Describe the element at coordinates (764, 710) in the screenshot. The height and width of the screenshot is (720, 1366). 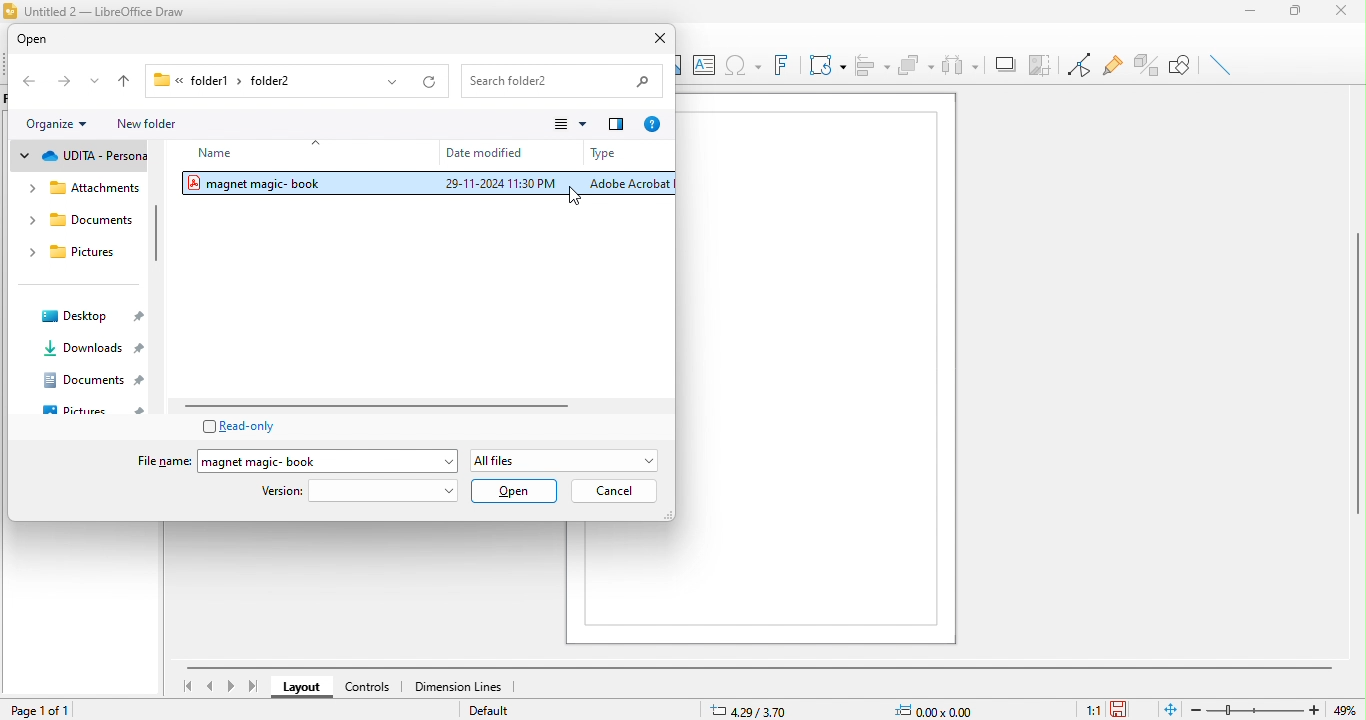
I see `4.29/3.70` at that location.